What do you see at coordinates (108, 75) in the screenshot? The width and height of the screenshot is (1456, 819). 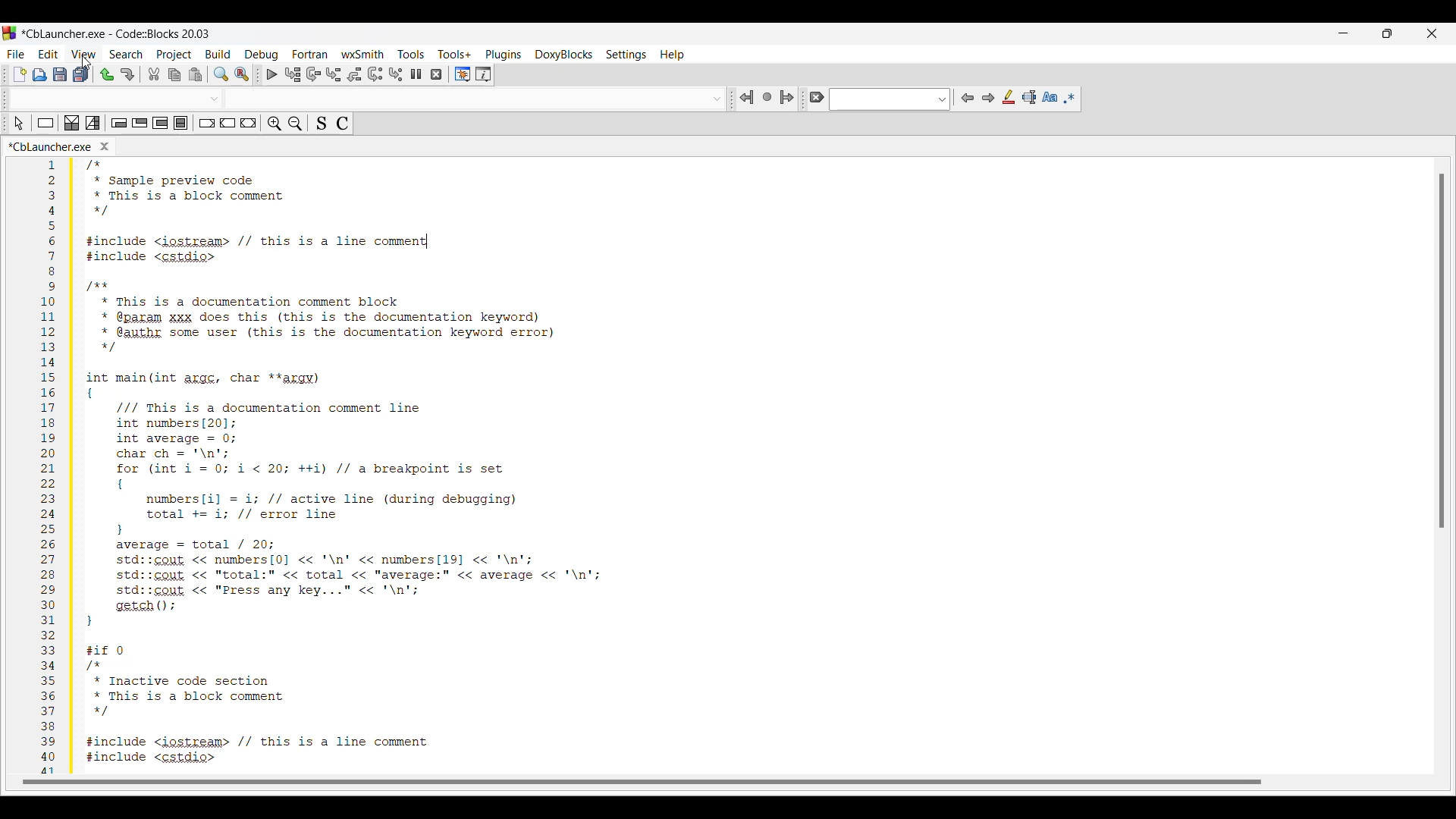 I see `Undo` at bounding box center [108, 75].